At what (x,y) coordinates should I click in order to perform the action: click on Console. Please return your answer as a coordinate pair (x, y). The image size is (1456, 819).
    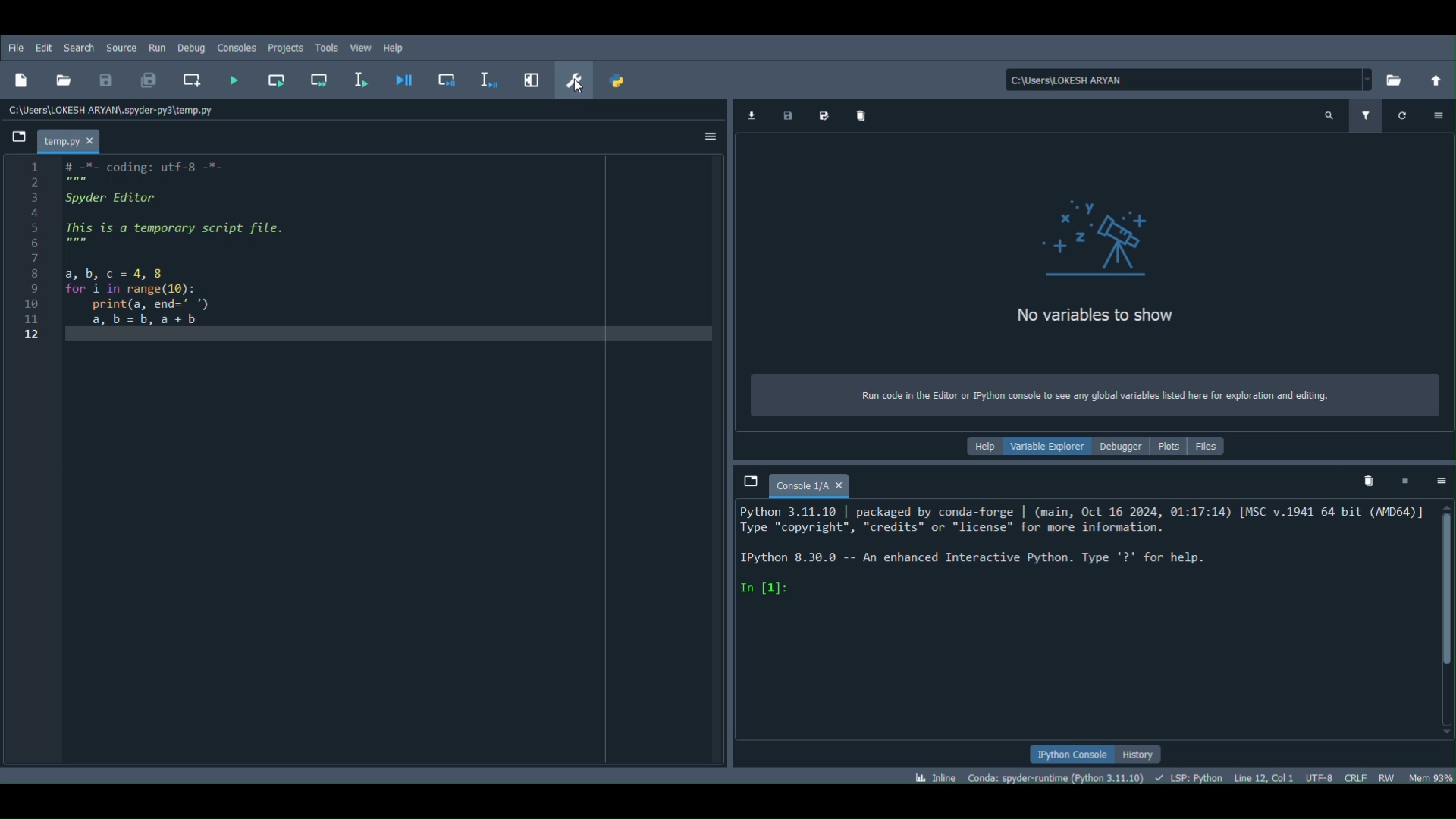
    Looking at the image, I should click on (811, 483).